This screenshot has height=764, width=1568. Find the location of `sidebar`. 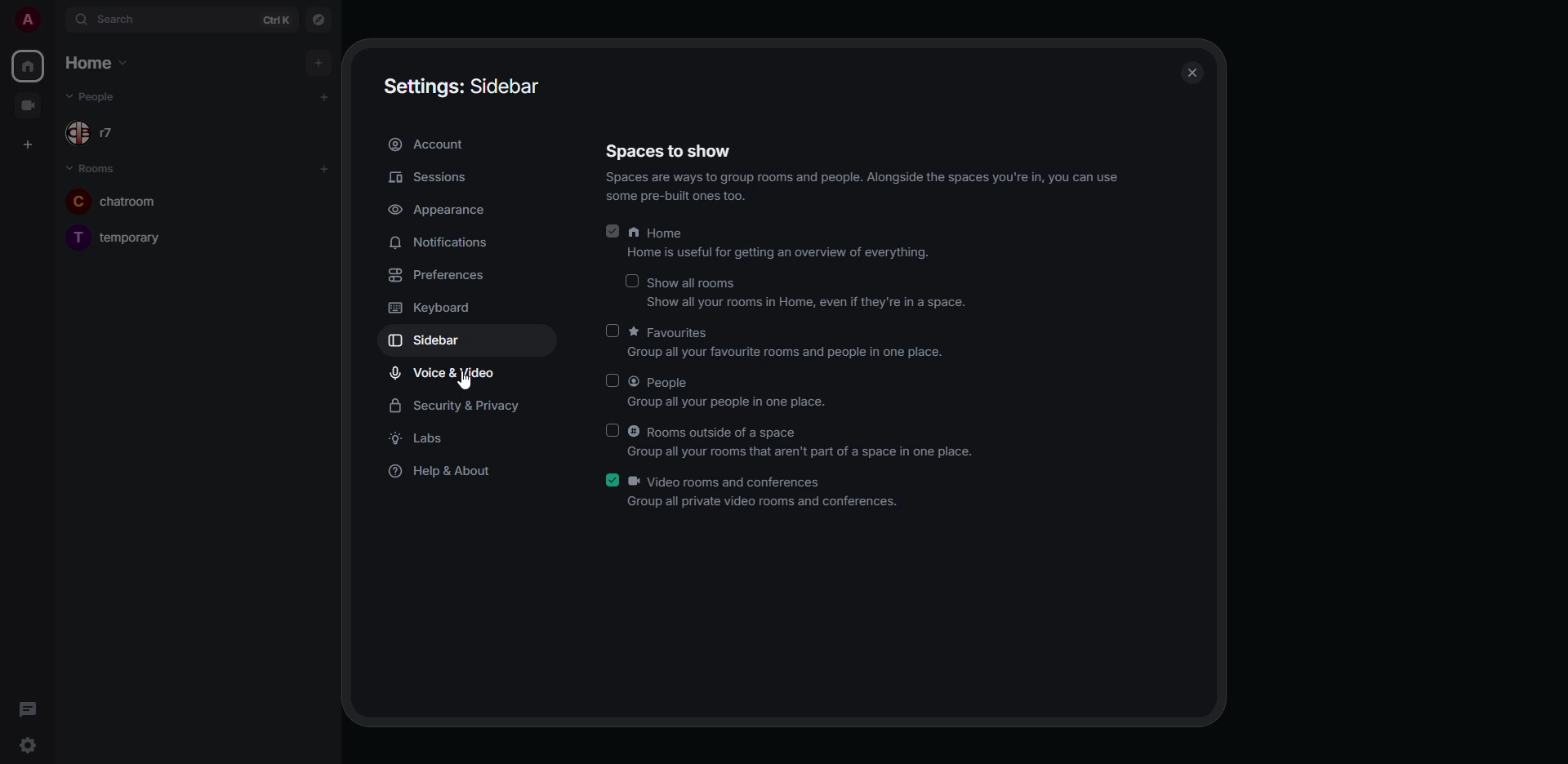

sidebar is located at coordinates (439, 342).